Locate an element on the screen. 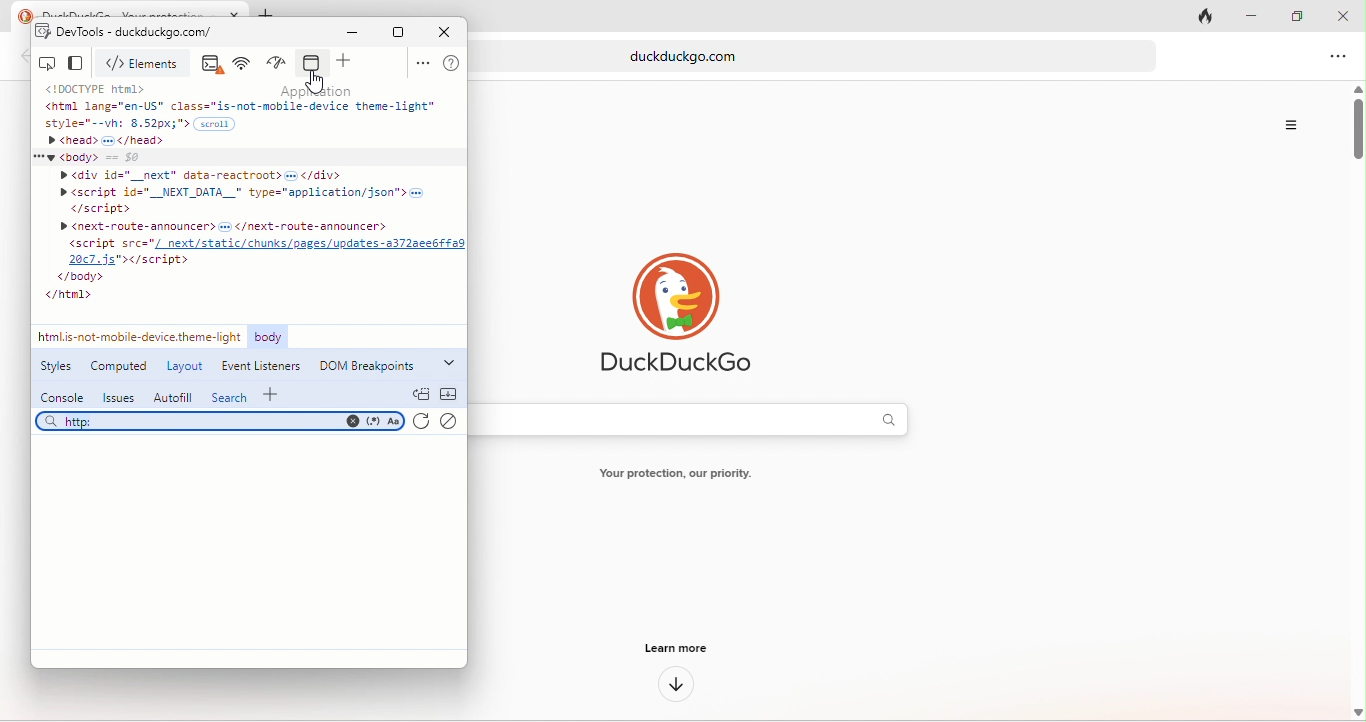 This screenshot has height=722, width=1366. layout is located at coordinates (183, 367).